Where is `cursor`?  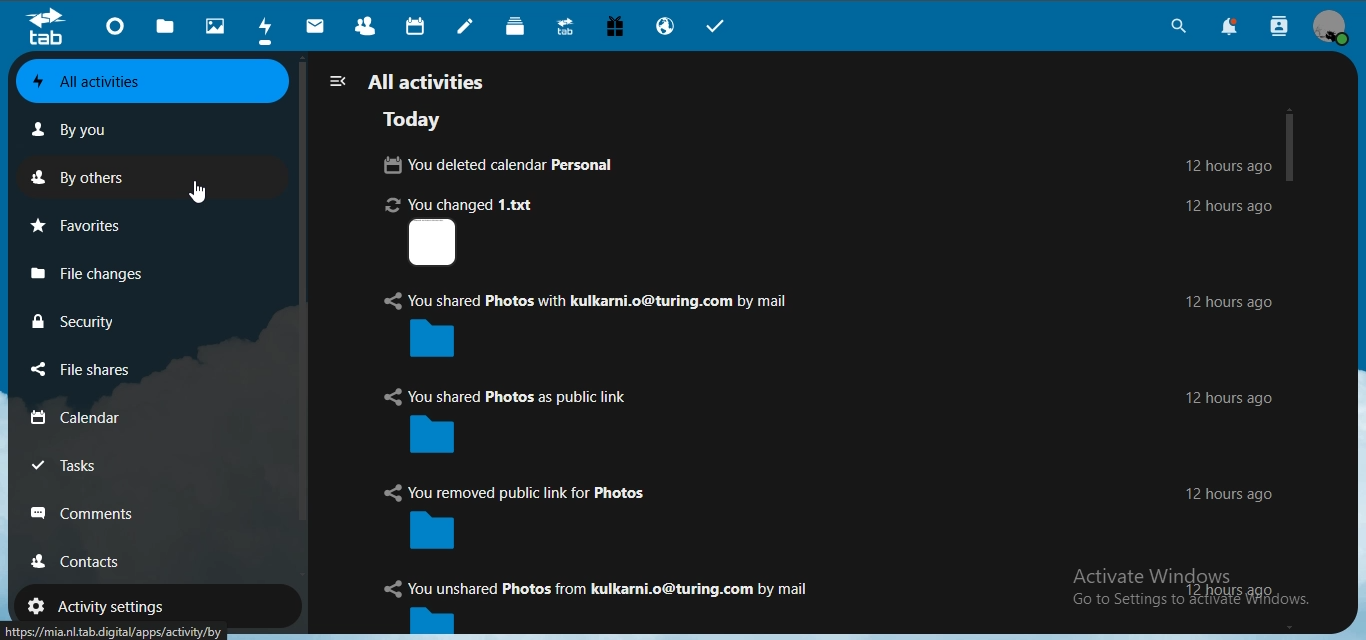
cursor is located at coordinates (201, 191).